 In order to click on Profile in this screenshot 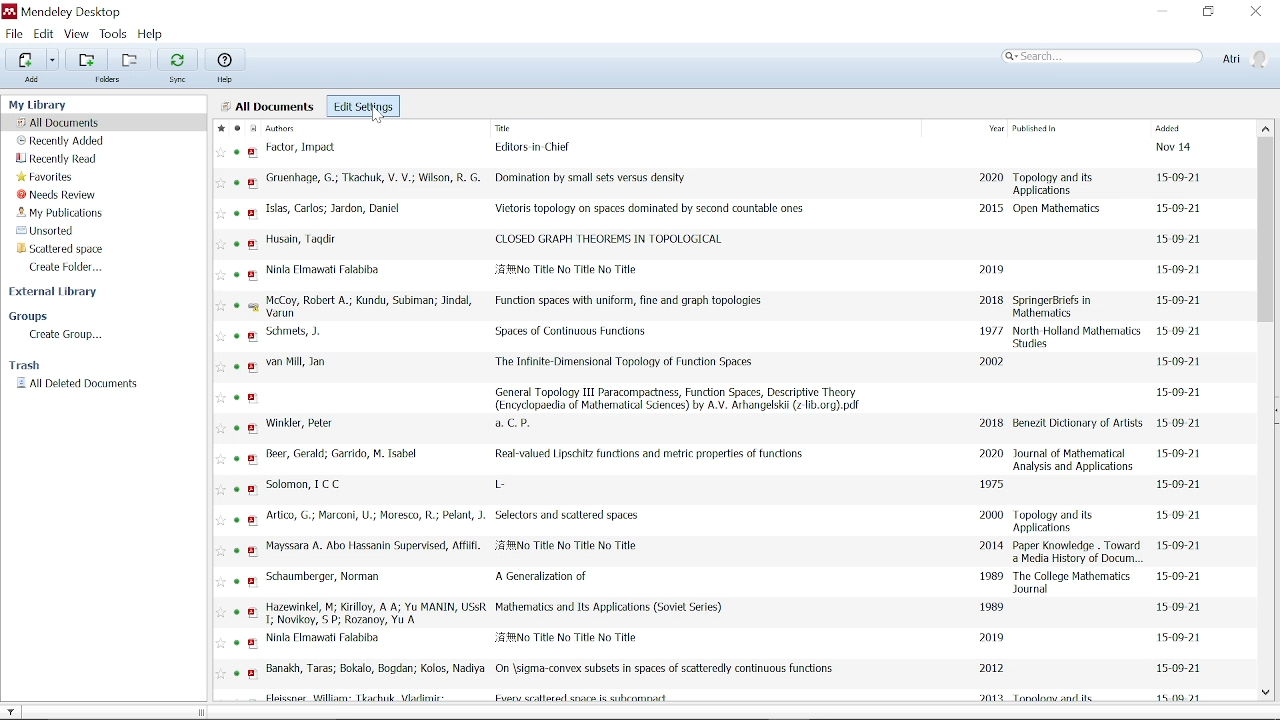, I will do `click(1243, 58)`.